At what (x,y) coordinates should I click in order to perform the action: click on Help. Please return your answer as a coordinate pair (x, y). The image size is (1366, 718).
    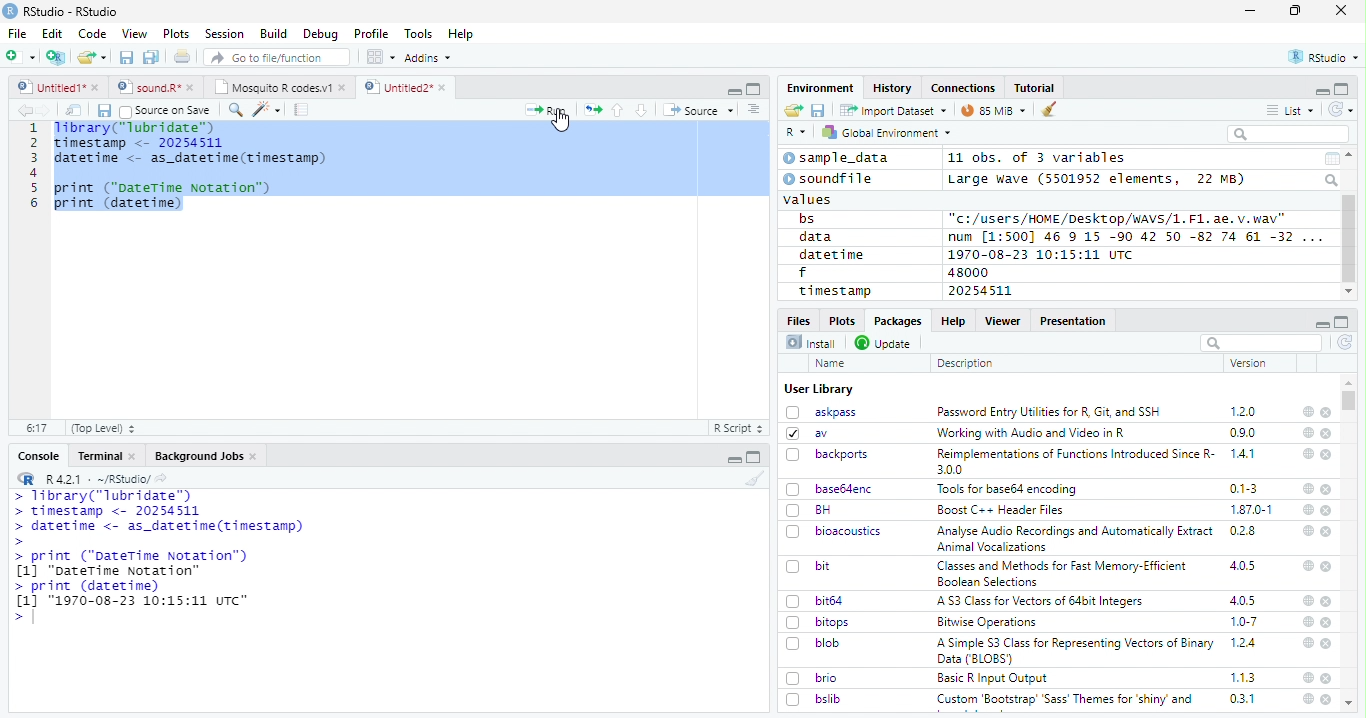
    Looking at the image, I should click on (461, 35).